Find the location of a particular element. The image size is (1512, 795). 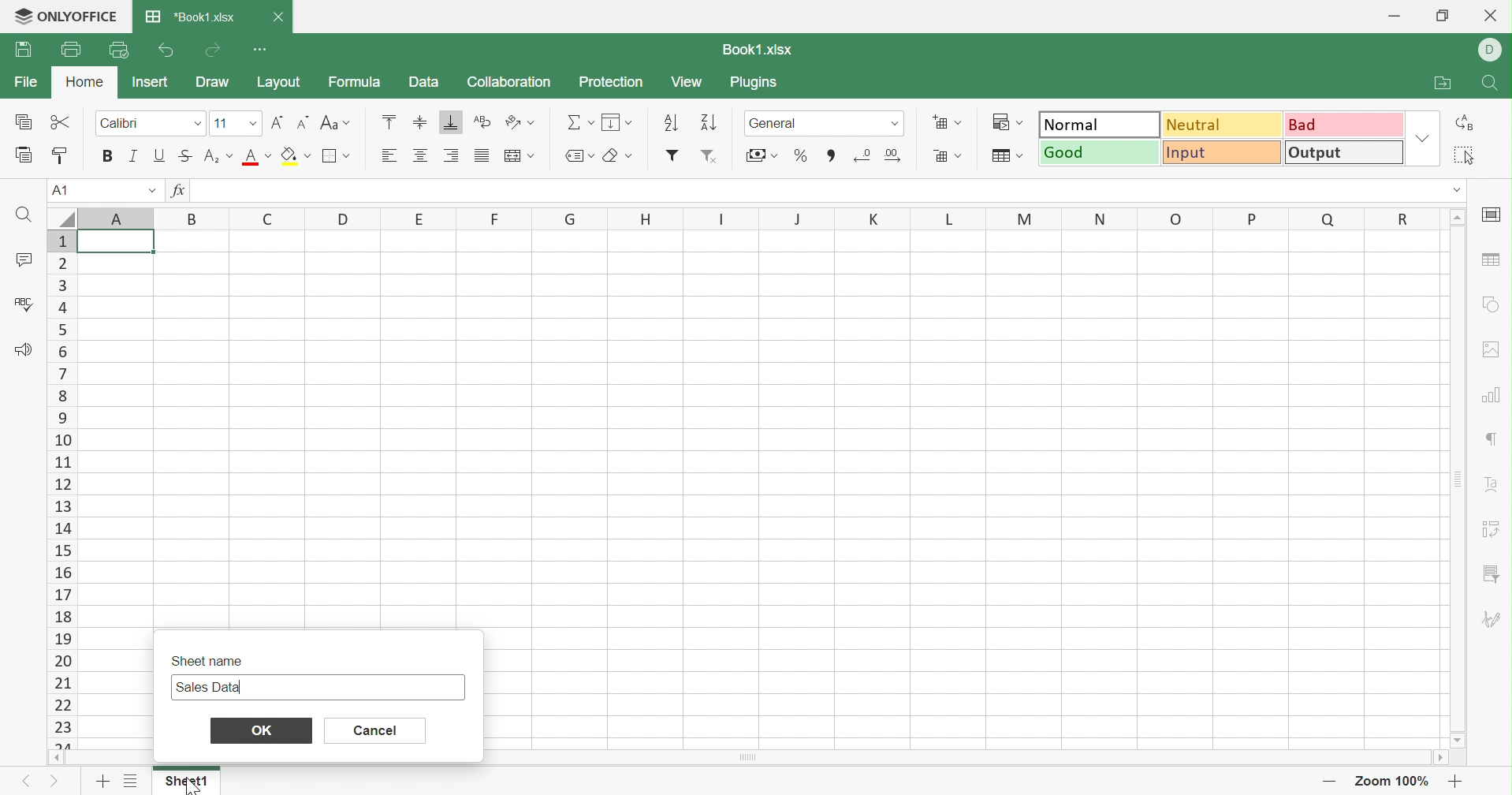

Image settings is located at coordinates (1492, 352).